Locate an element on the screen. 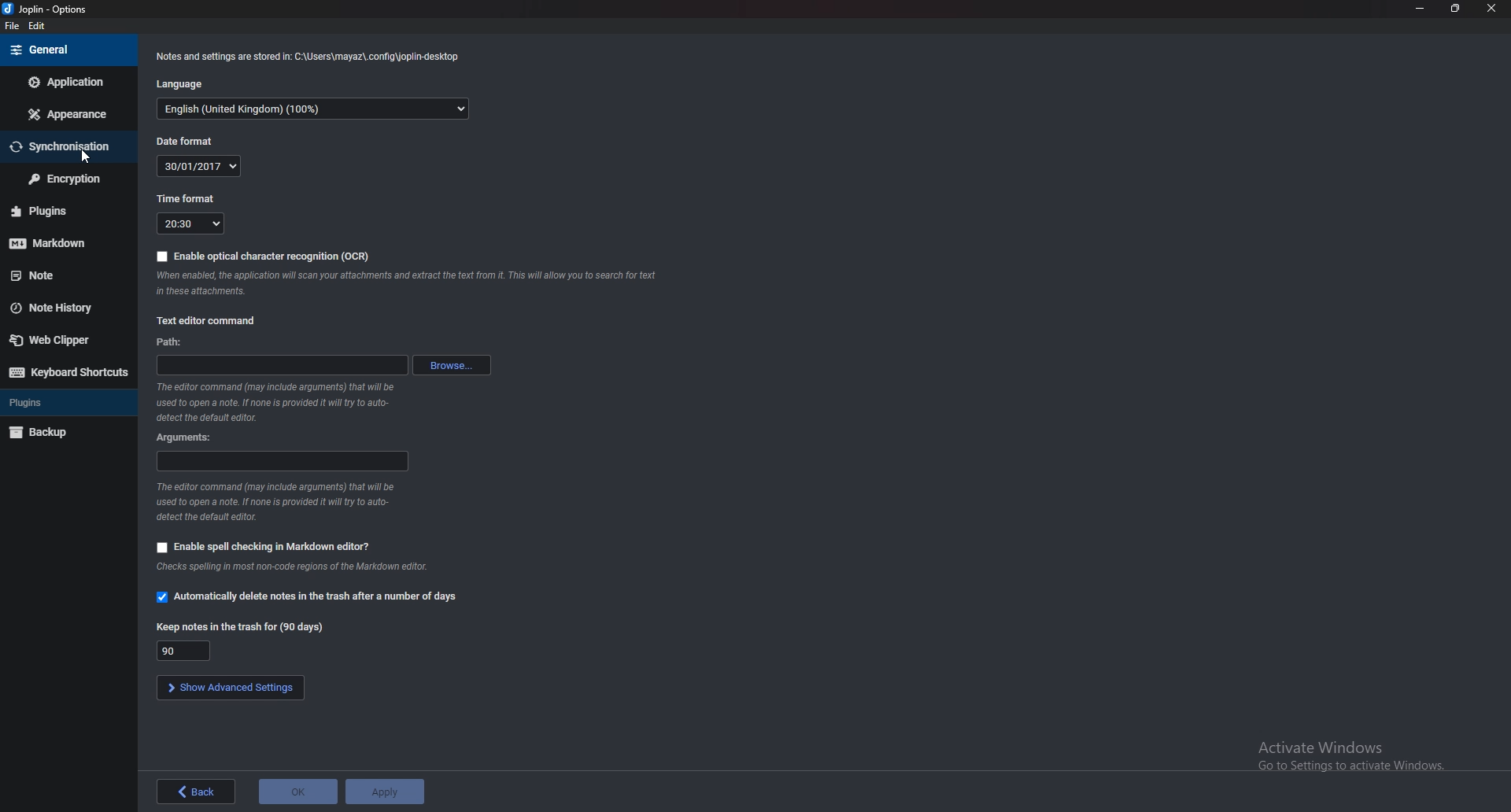 Image resolution: width=1511 pixels, height=812 pixels. plugins is located at coordinates (60, 213).